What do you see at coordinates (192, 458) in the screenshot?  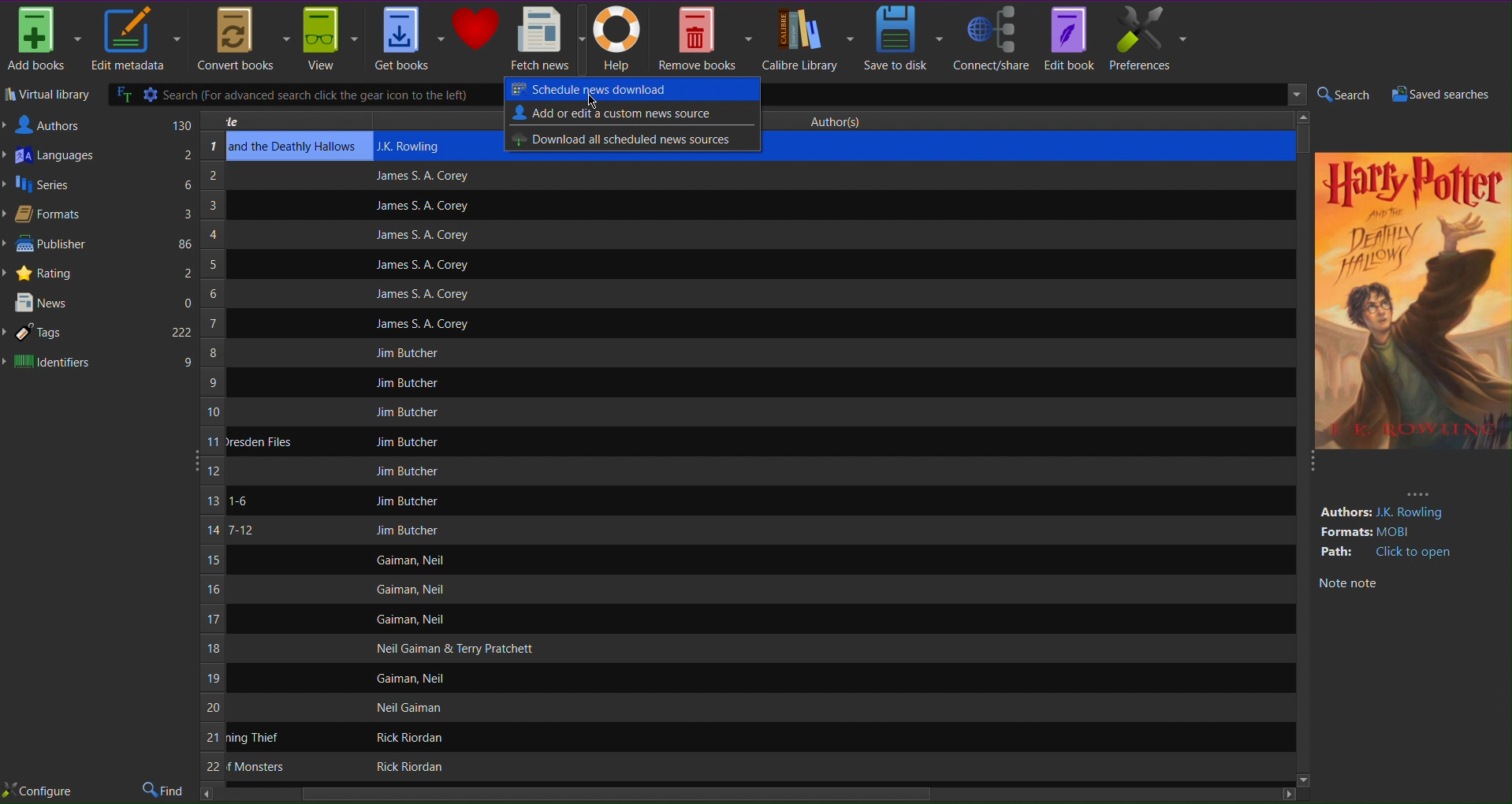 I see `Collapse` at bounding box center [192, 458].